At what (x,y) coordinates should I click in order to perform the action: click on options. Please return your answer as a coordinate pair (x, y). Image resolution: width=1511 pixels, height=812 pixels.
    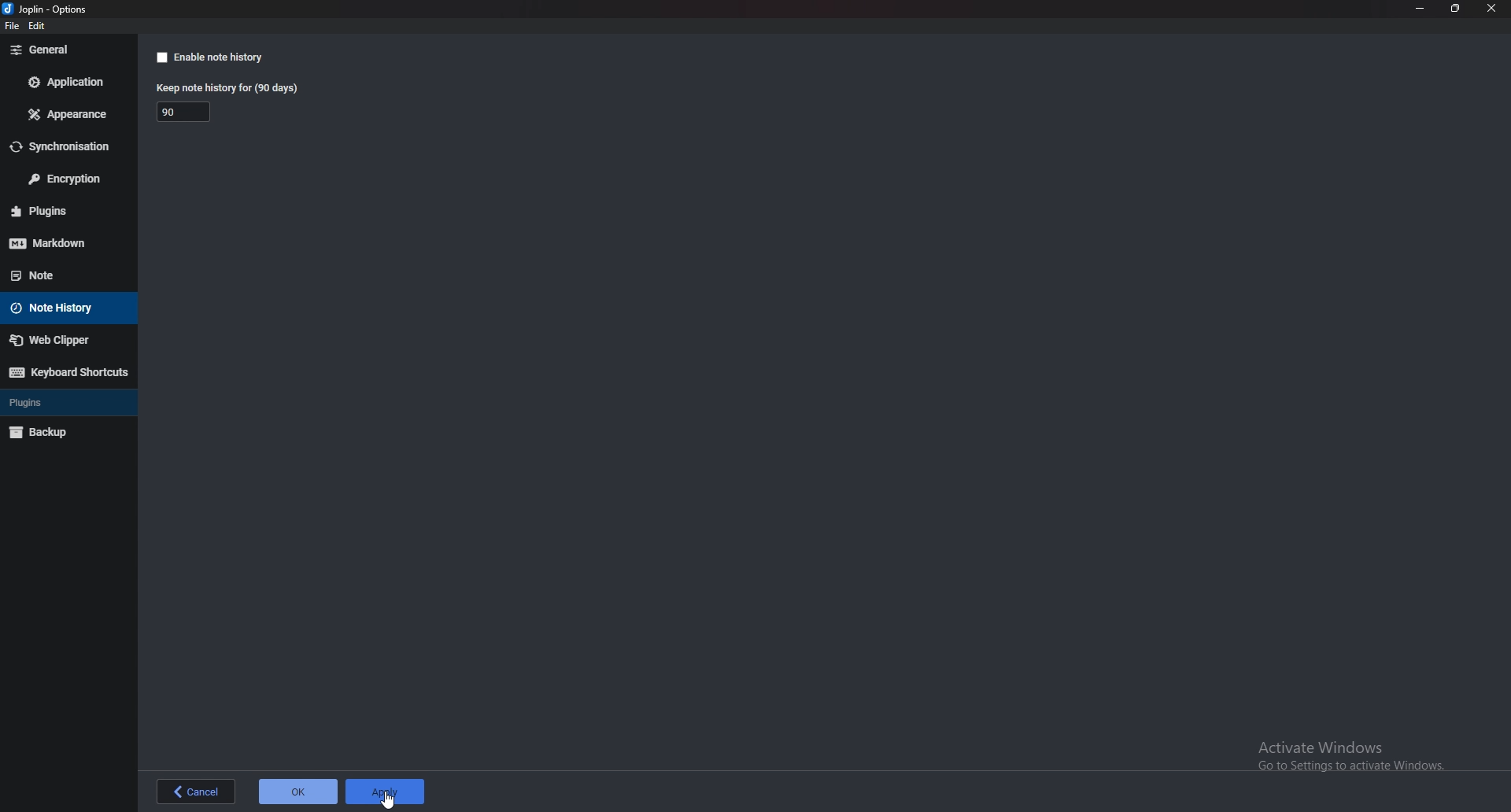
    Looking at the image, I should click on (50, 9).